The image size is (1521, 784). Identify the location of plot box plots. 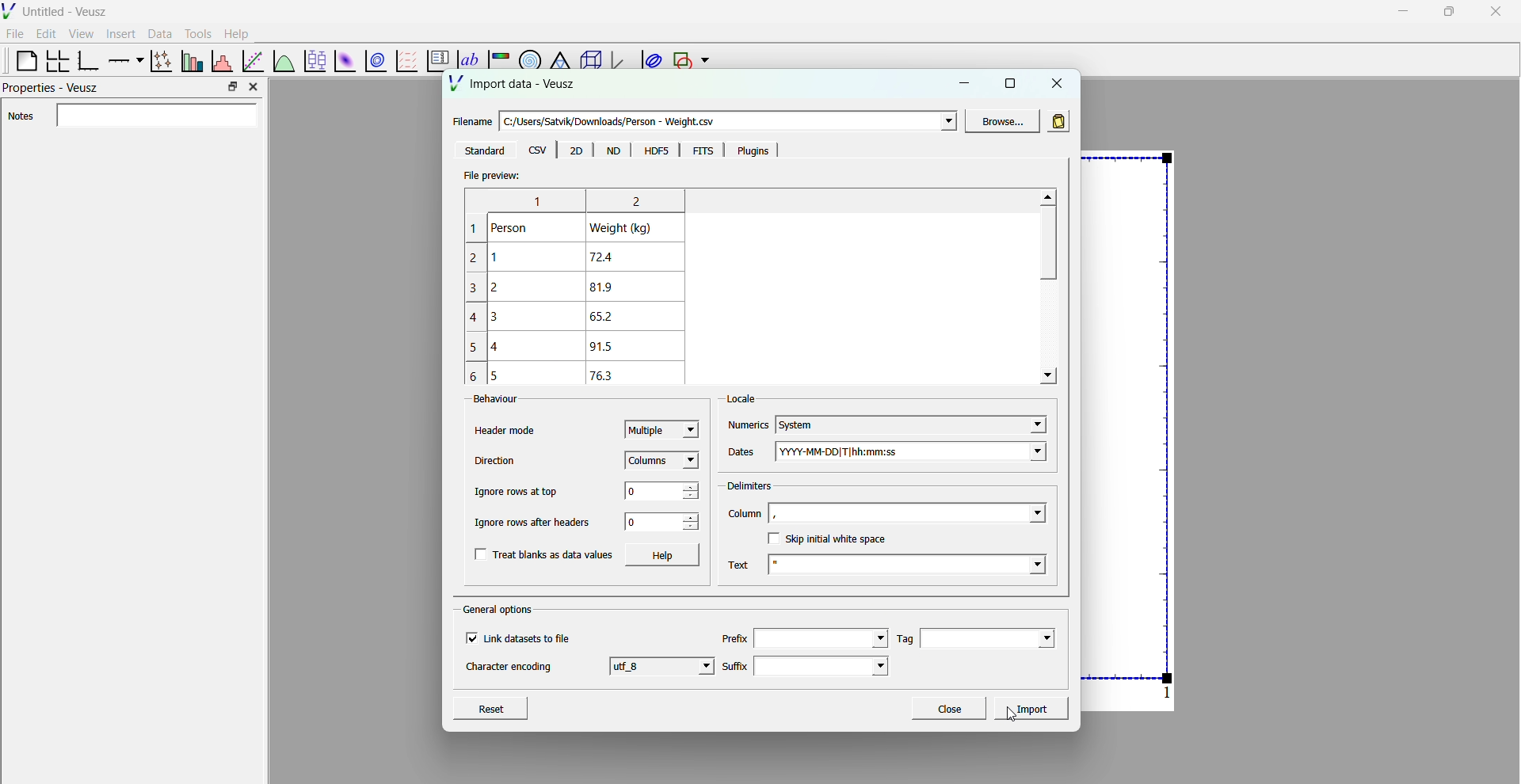
(314, 61).